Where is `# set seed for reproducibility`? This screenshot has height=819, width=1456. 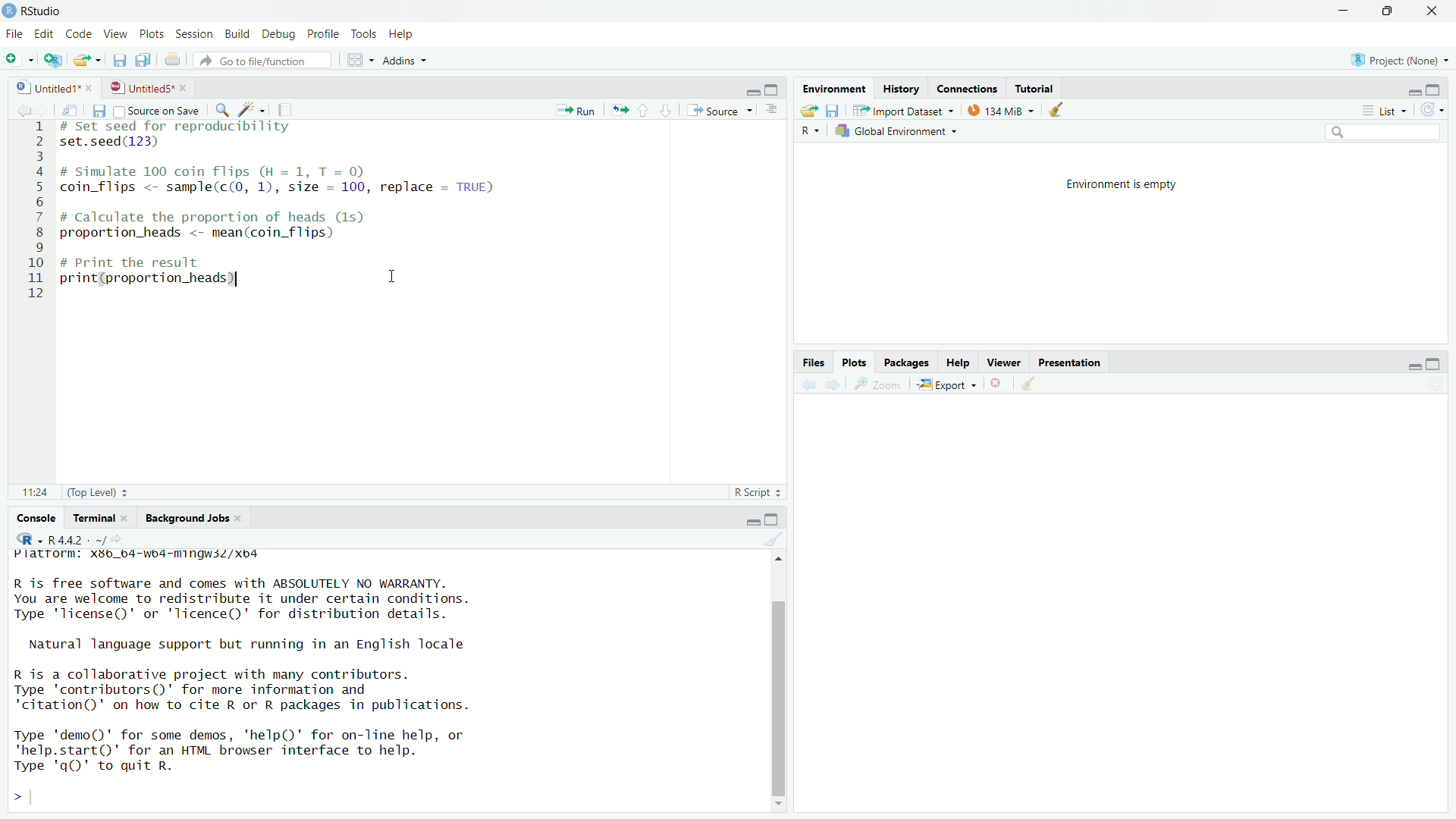
# set seed for reproducibility is located at coordinates (189, 127).